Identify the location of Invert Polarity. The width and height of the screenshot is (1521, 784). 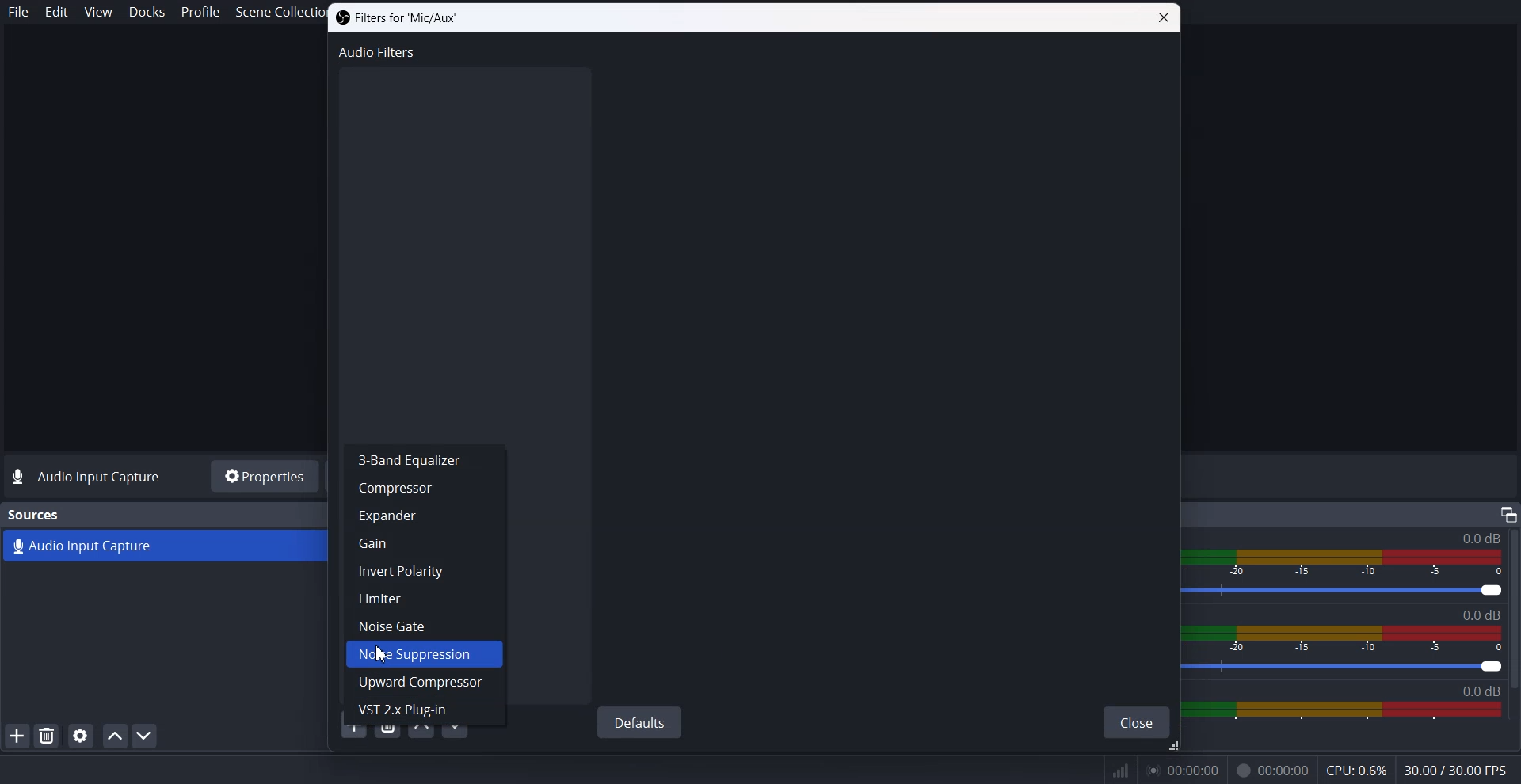
(427, 571).